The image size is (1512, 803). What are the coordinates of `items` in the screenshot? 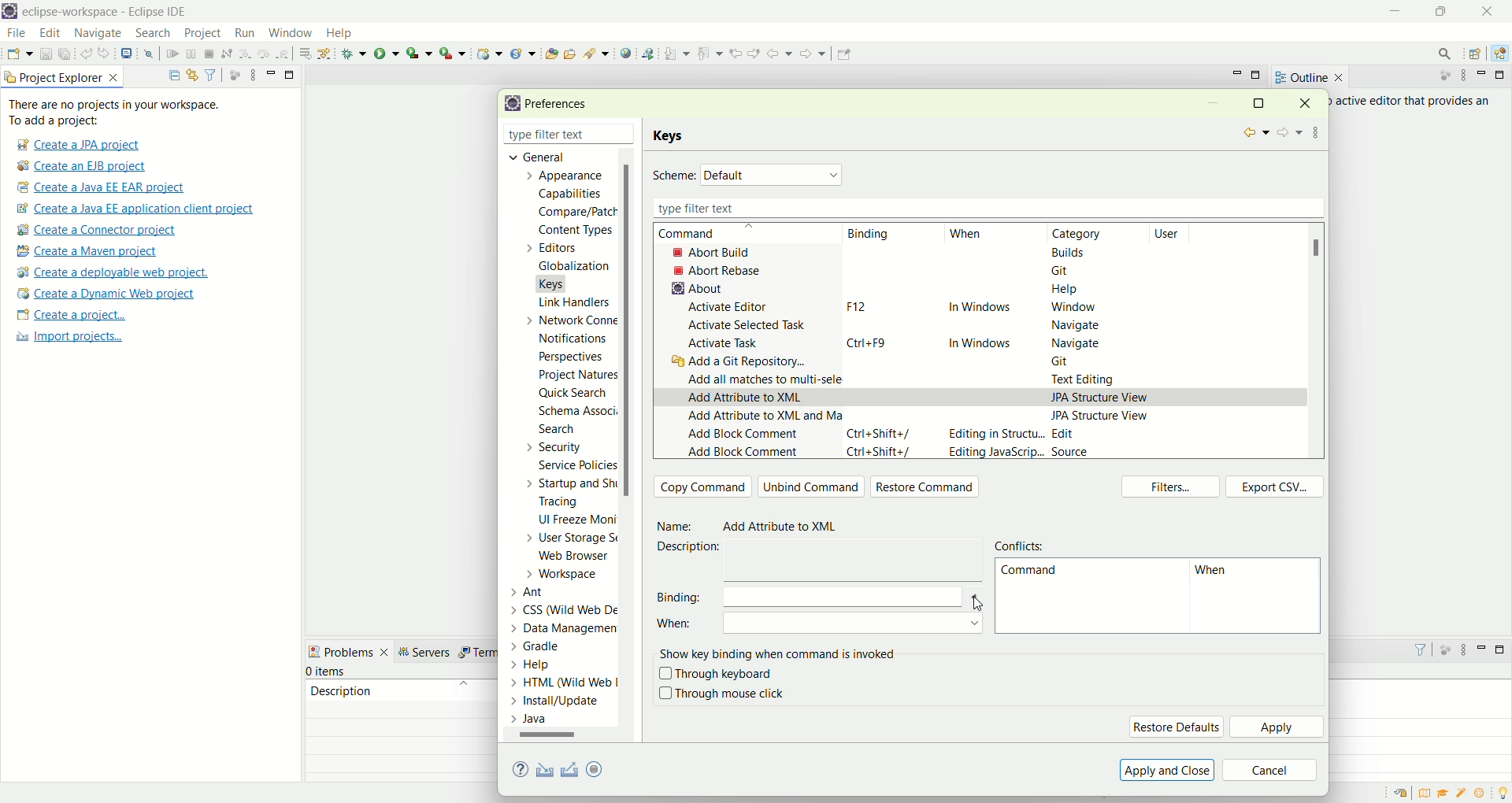 It's located at (328, 672).